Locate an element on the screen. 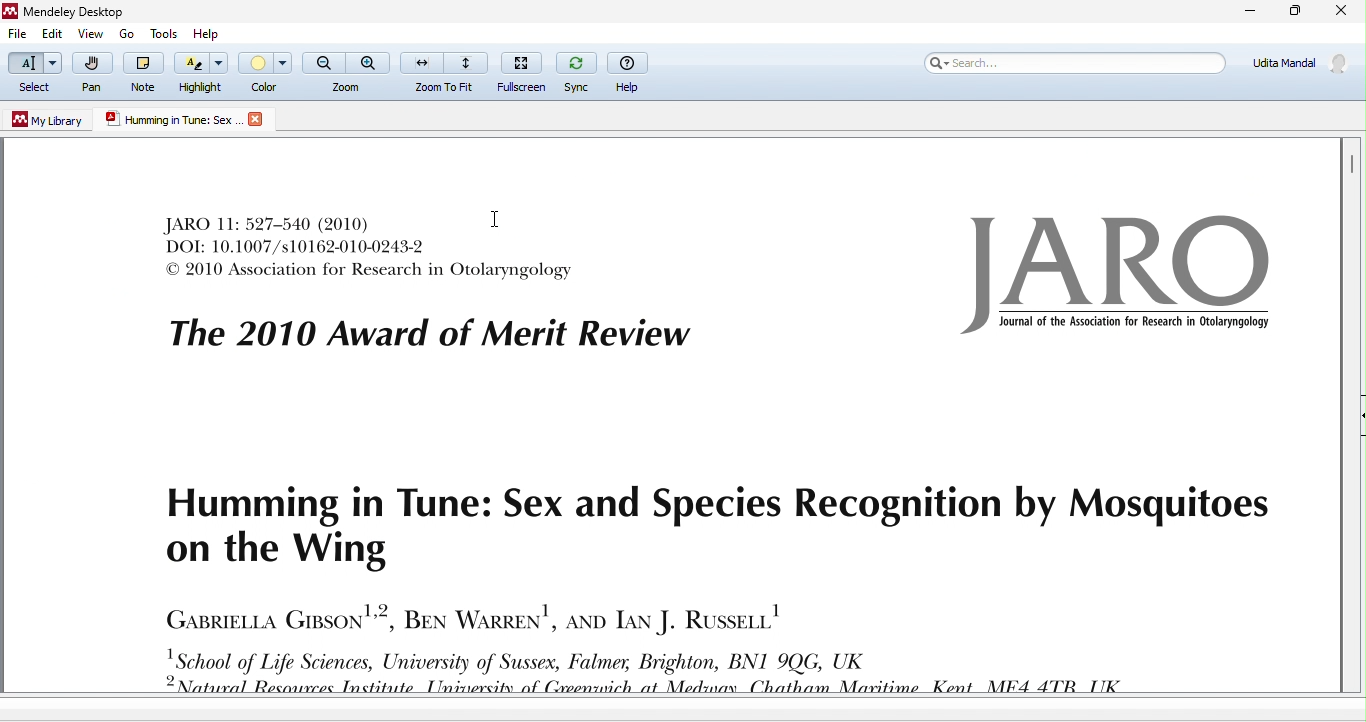 This screenshot has width=1366, height=722. my library is located at coordinates (44, 122).